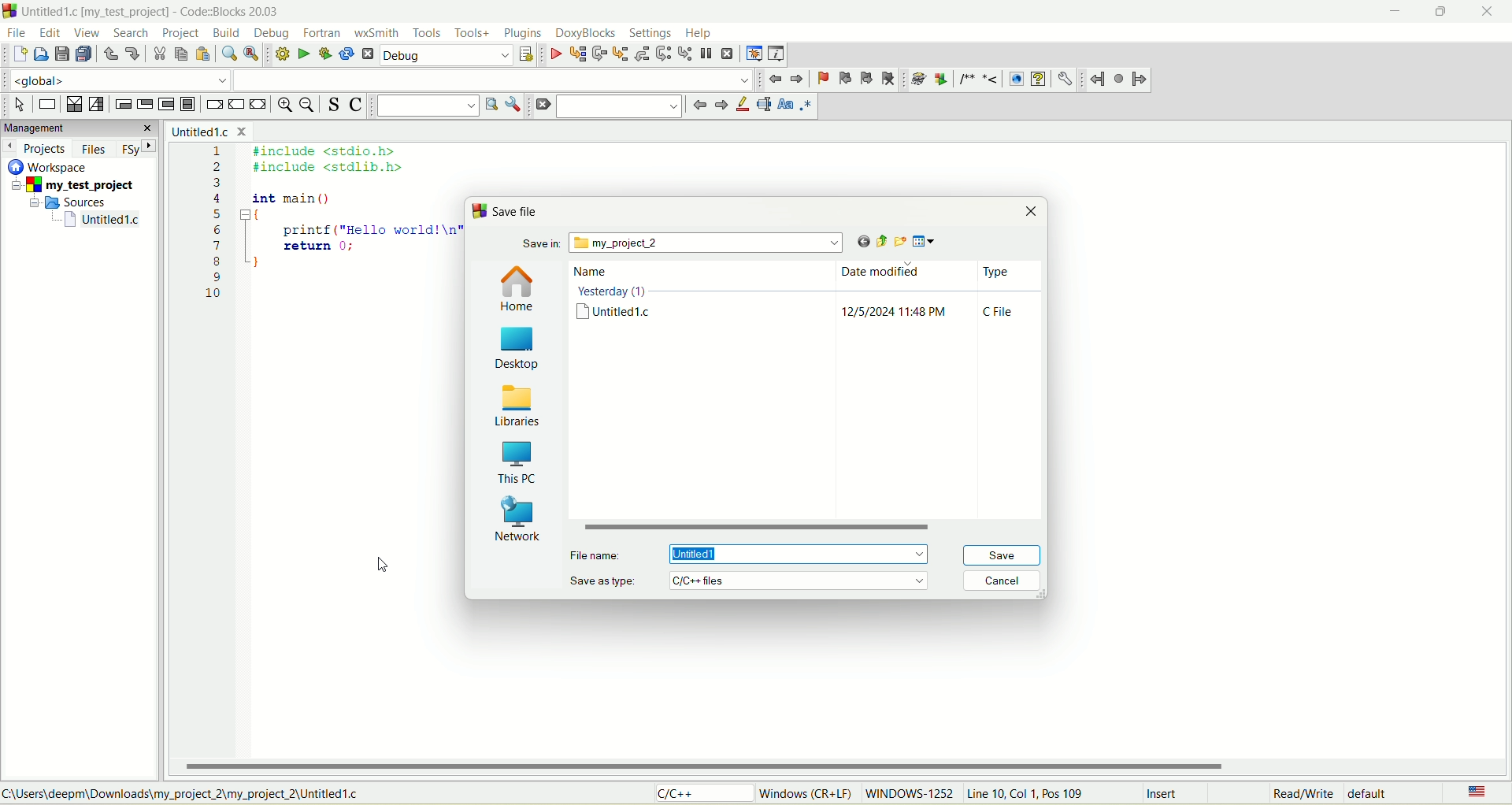  What do you see at coordinates (809, 792) in the screenshot?
I see `windows` at bounding box center [809, 792].